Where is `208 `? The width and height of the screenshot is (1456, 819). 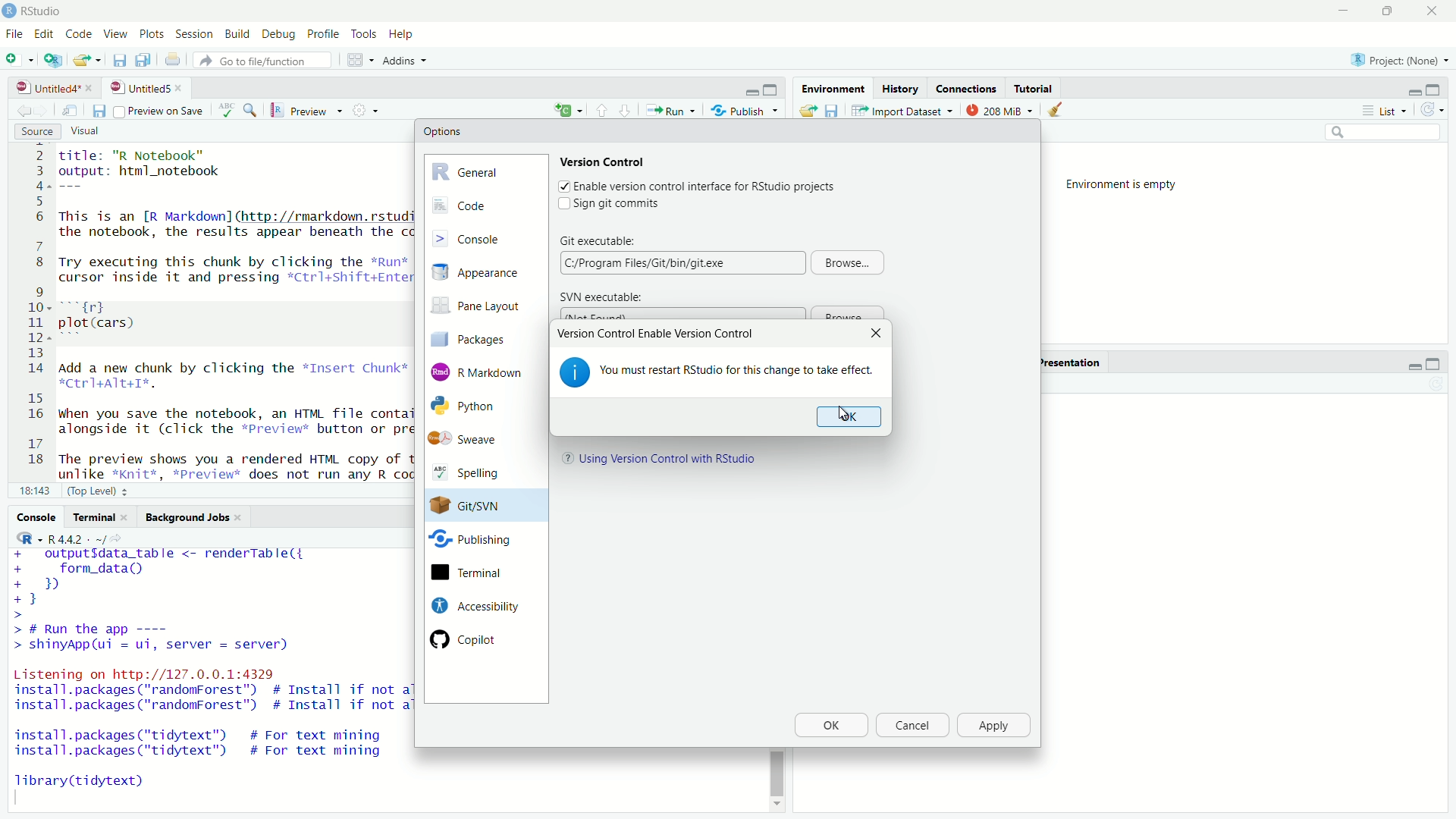
208  is located at coordinates (1000, 109).